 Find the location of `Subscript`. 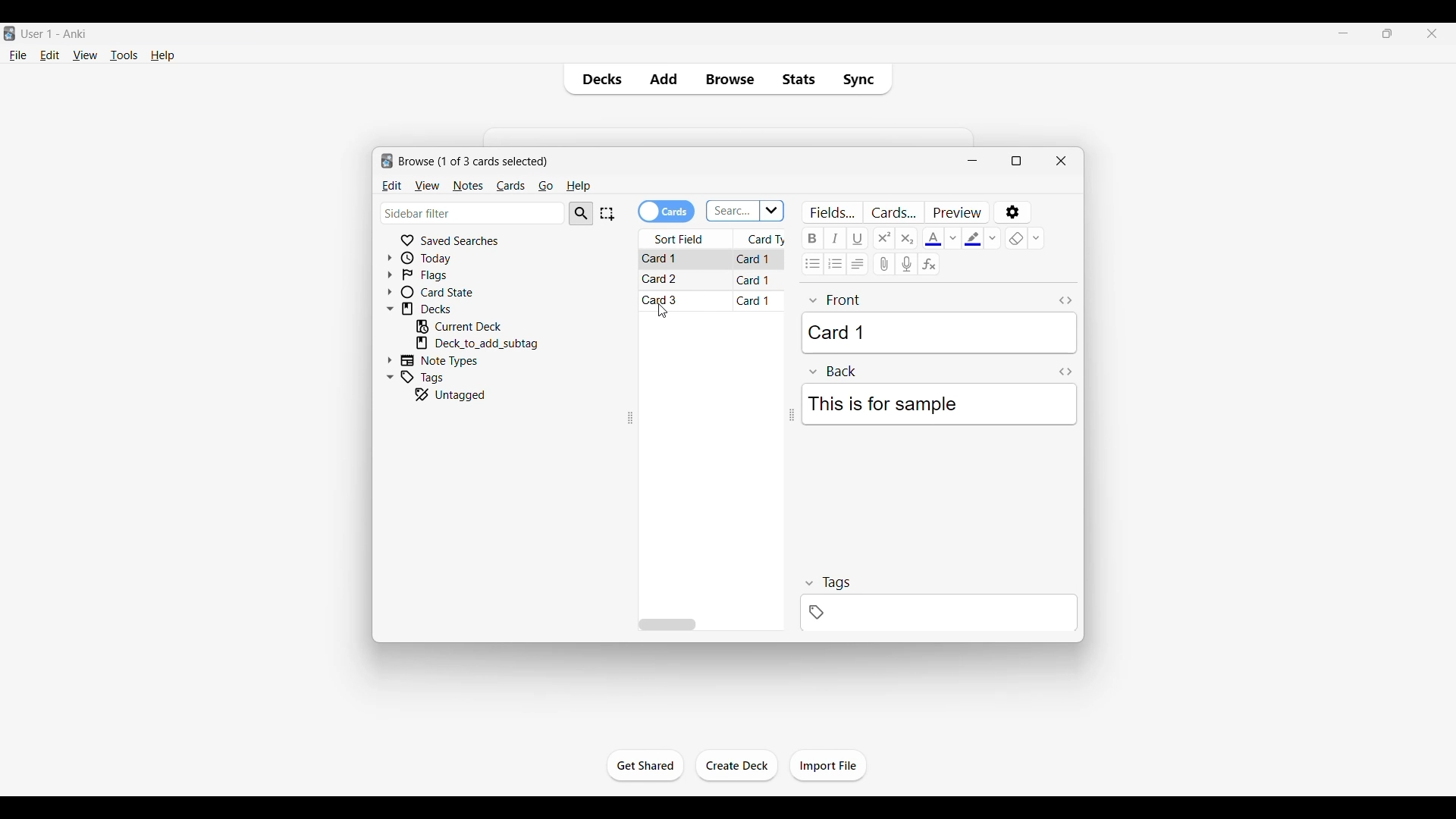

Subscript is located at coordinates (906, 238).